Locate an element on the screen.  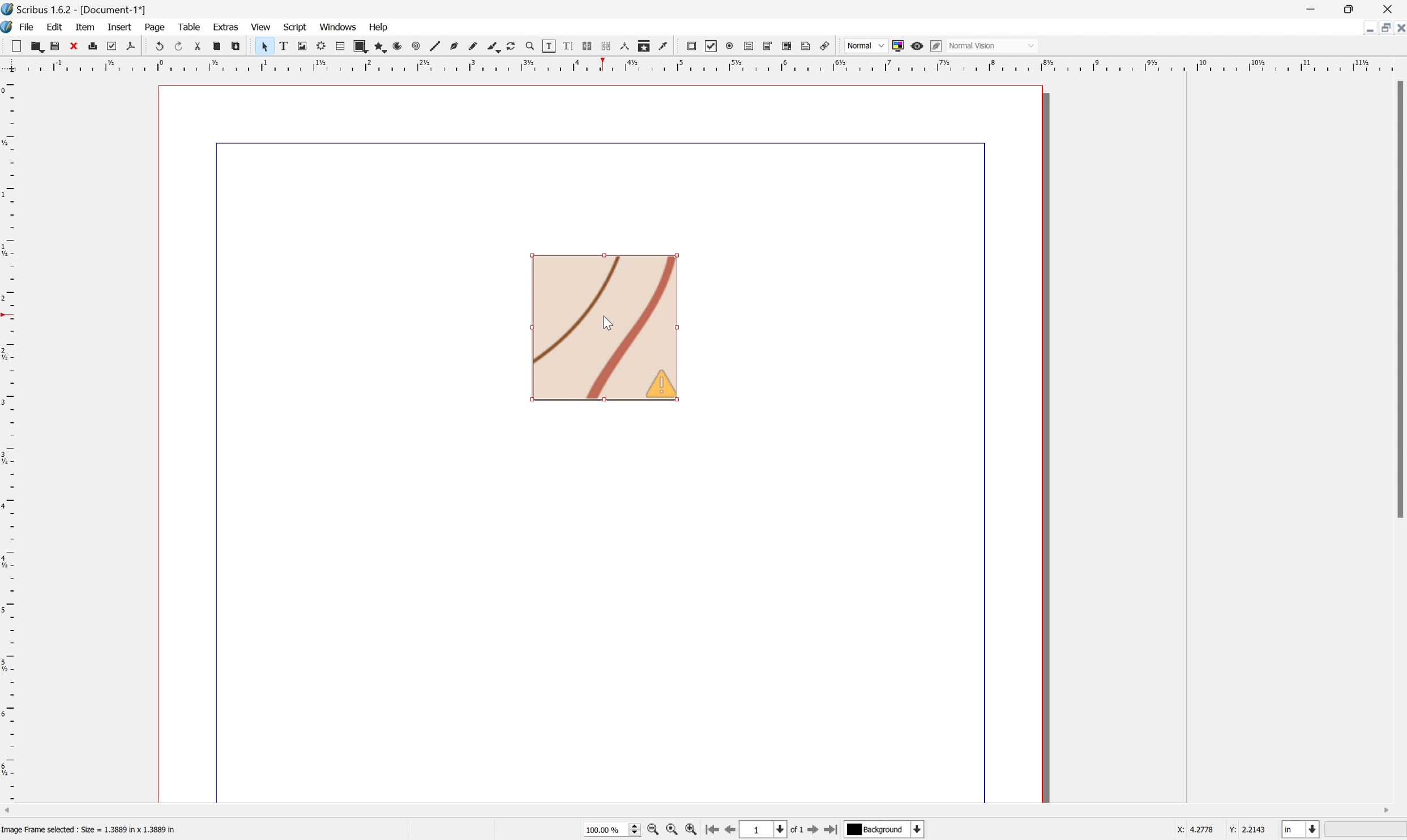
Copy is located at coordinates (216, 46).